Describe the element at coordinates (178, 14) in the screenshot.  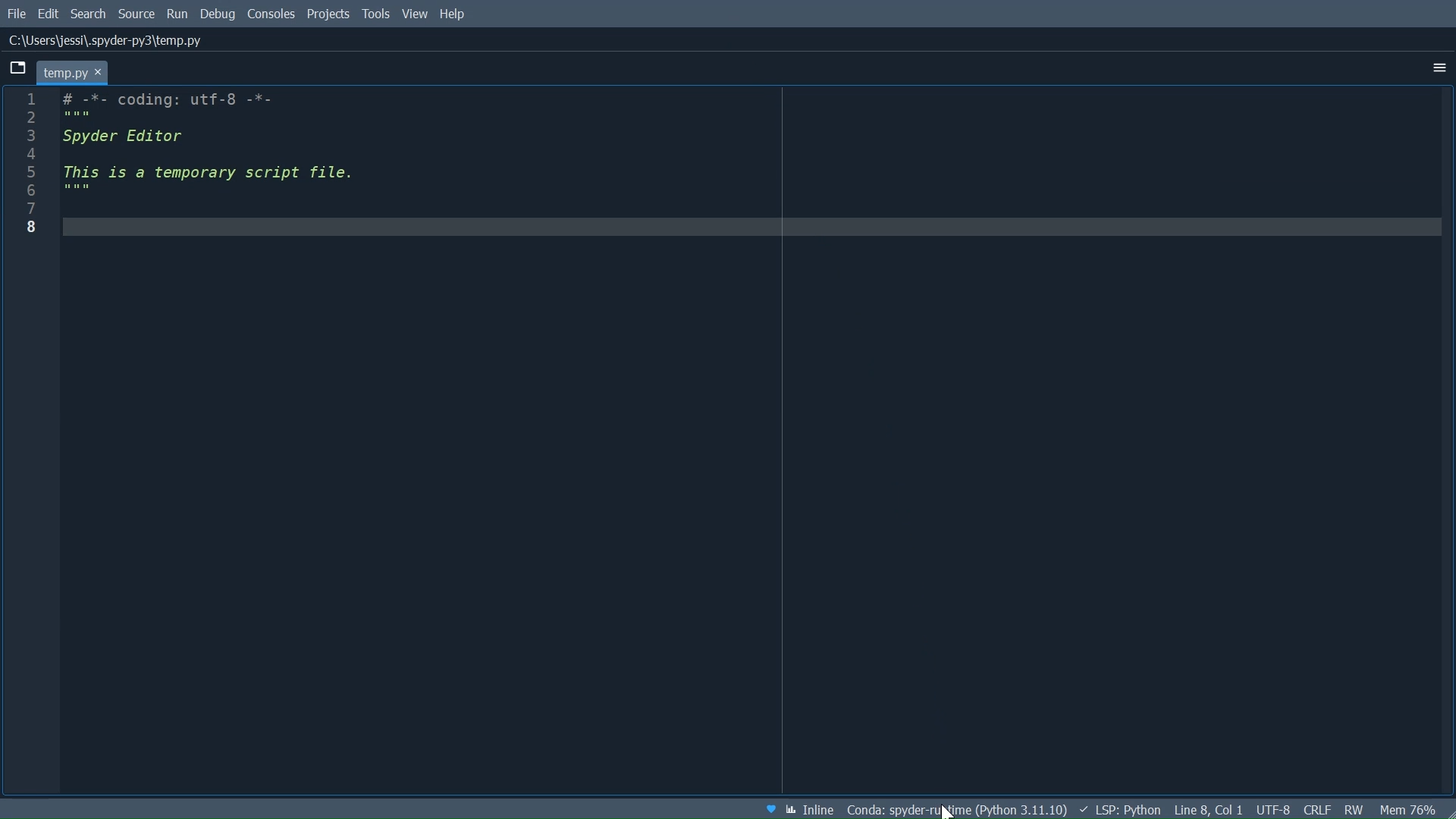
I see `Run` at that location.